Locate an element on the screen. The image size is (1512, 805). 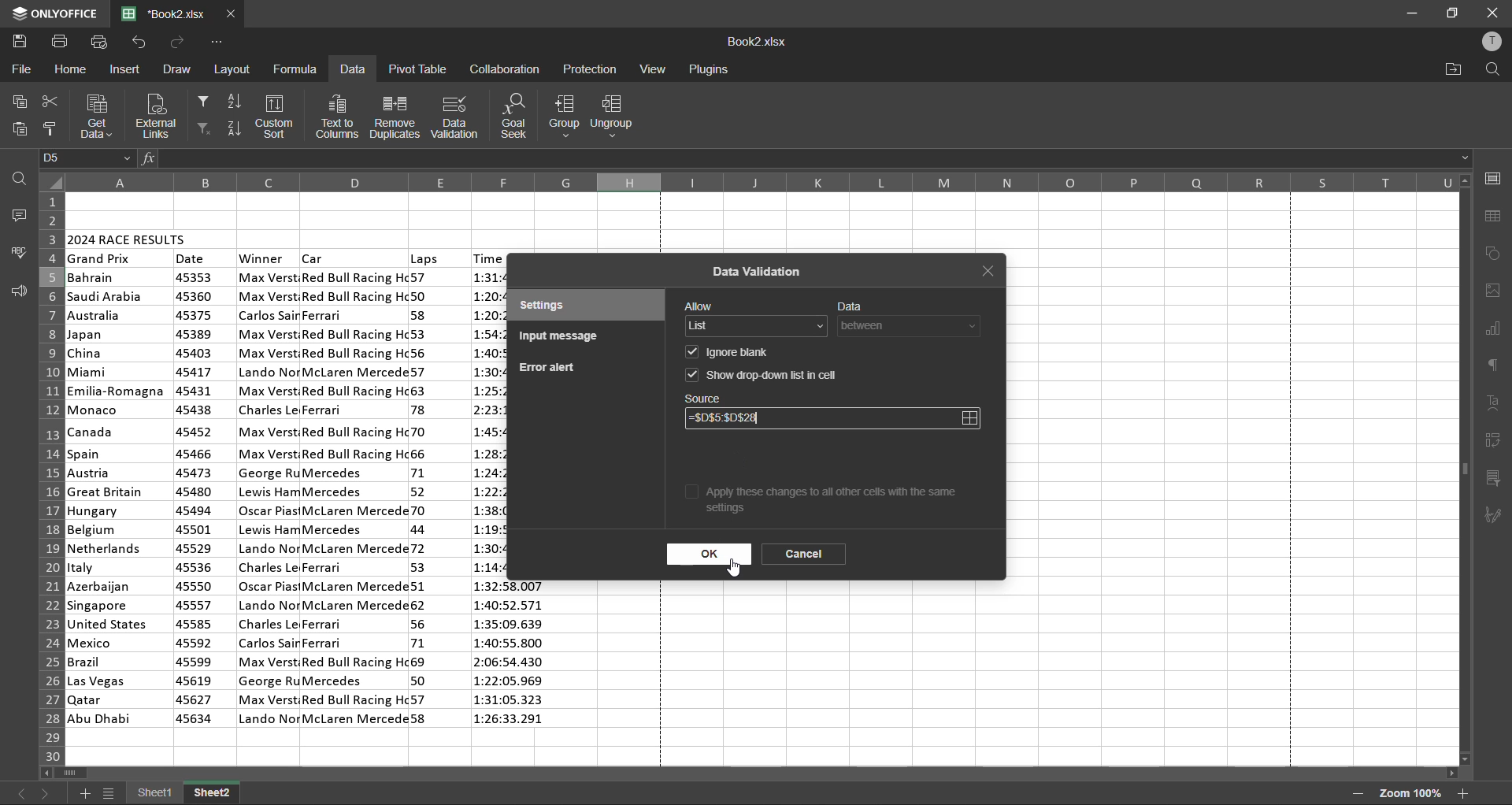
select data range is located at coordinates (975, 417).